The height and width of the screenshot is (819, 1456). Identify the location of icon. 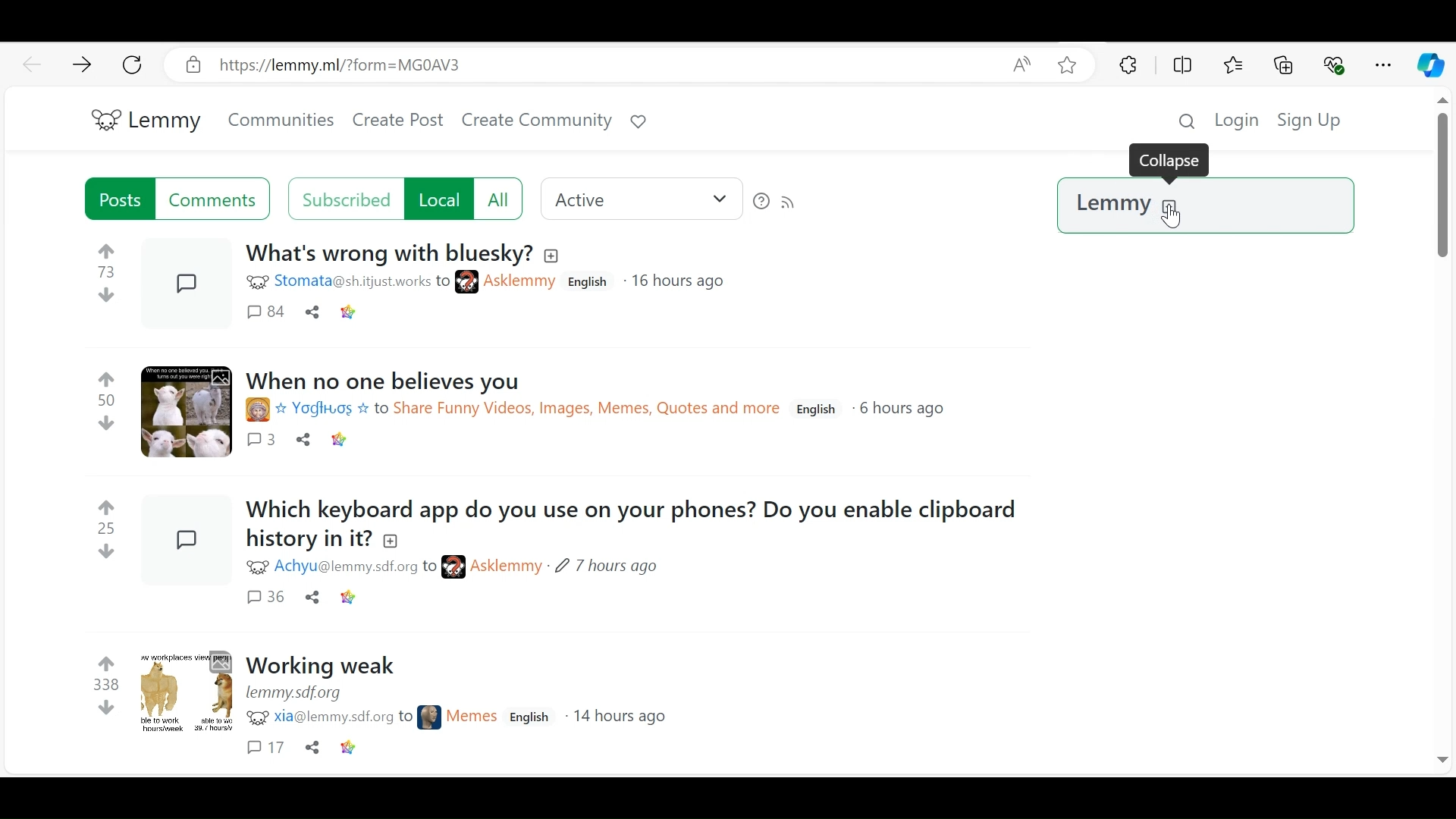
(256, 411).